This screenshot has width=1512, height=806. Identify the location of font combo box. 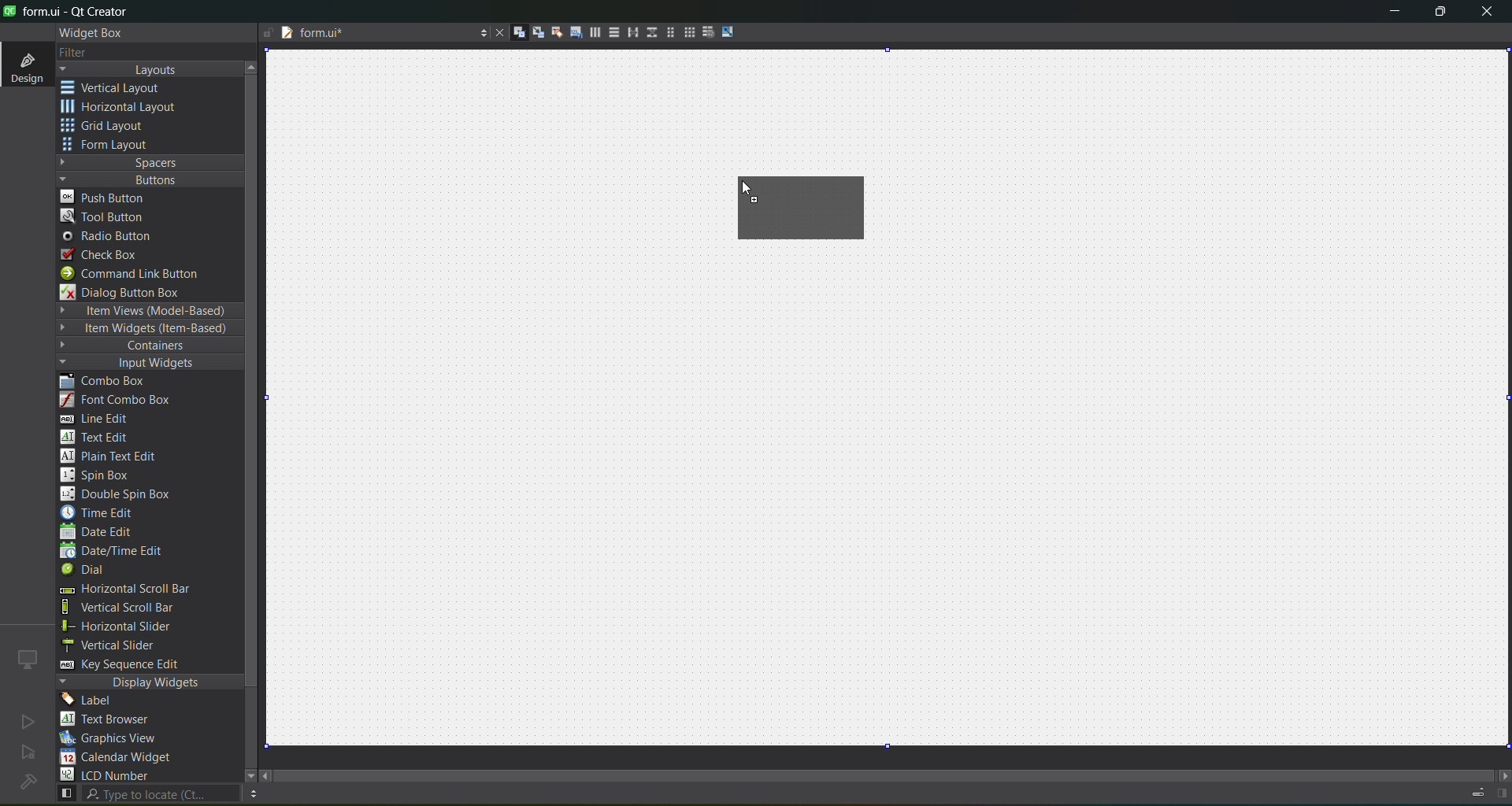
(121, 401).